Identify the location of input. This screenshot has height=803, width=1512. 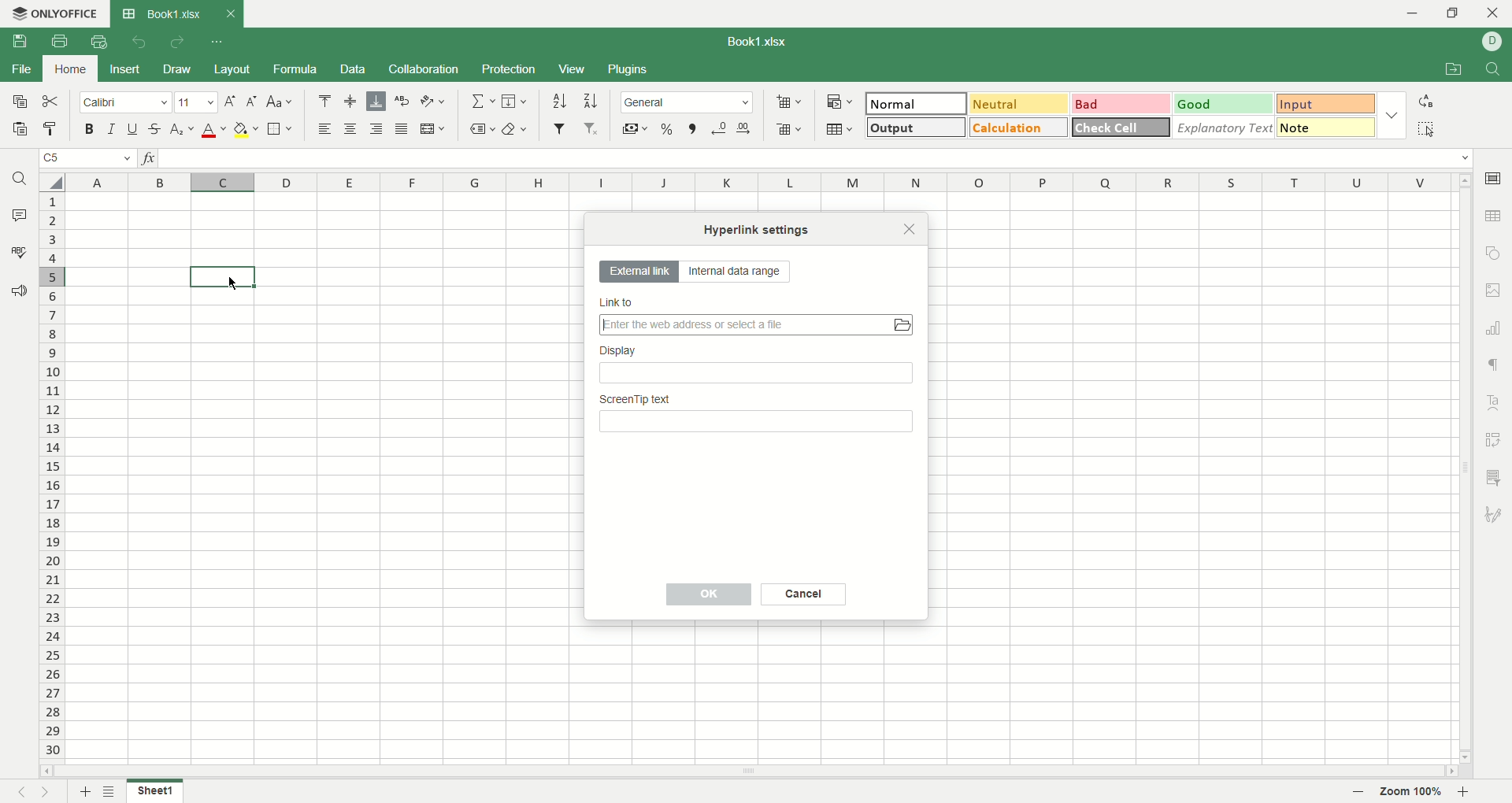
(1326, 105).